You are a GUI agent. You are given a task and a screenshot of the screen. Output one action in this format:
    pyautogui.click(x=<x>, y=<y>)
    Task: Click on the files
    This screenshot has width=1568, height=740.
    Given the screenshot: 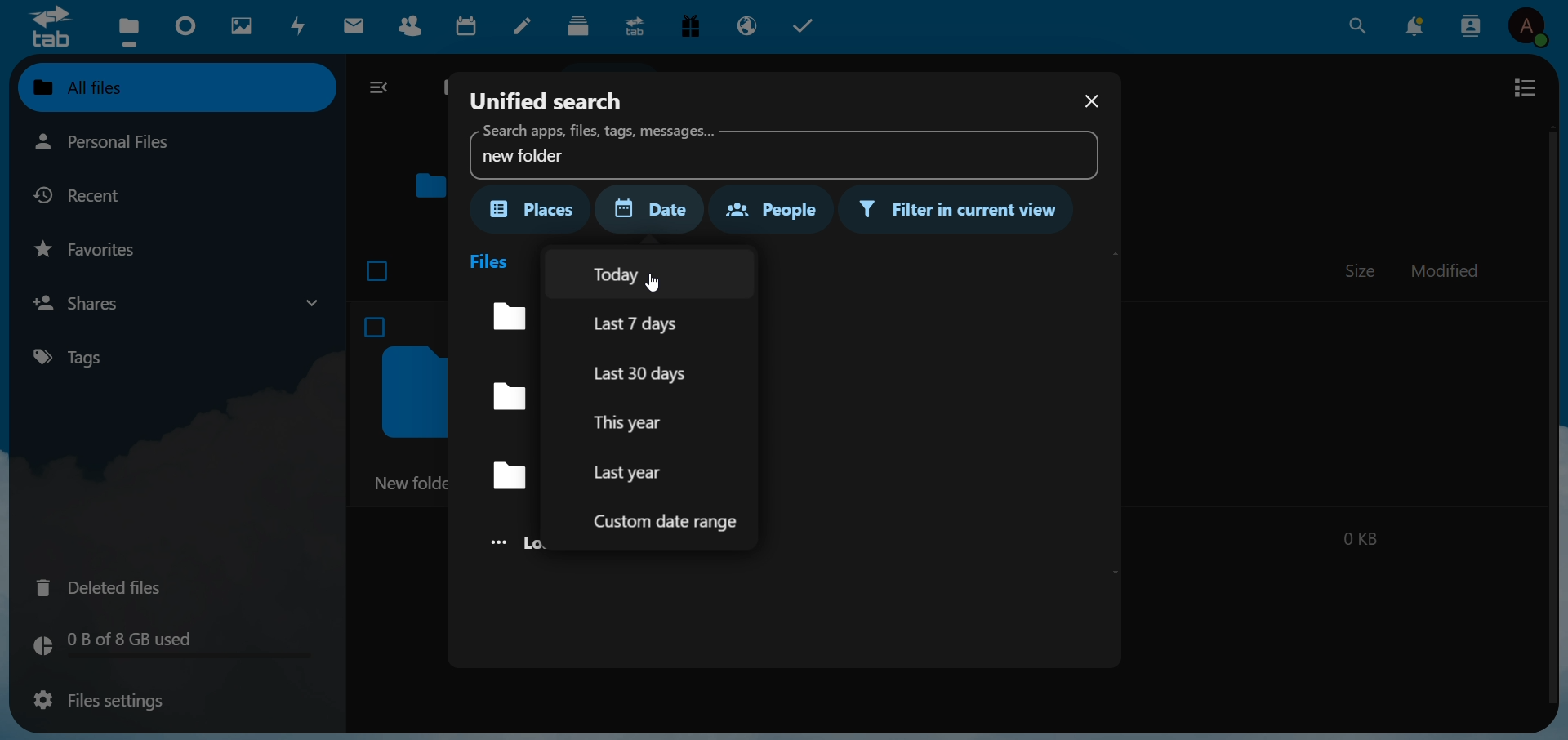 What is the action you would take?
    pyautogui.click(x=492, y=260)
    